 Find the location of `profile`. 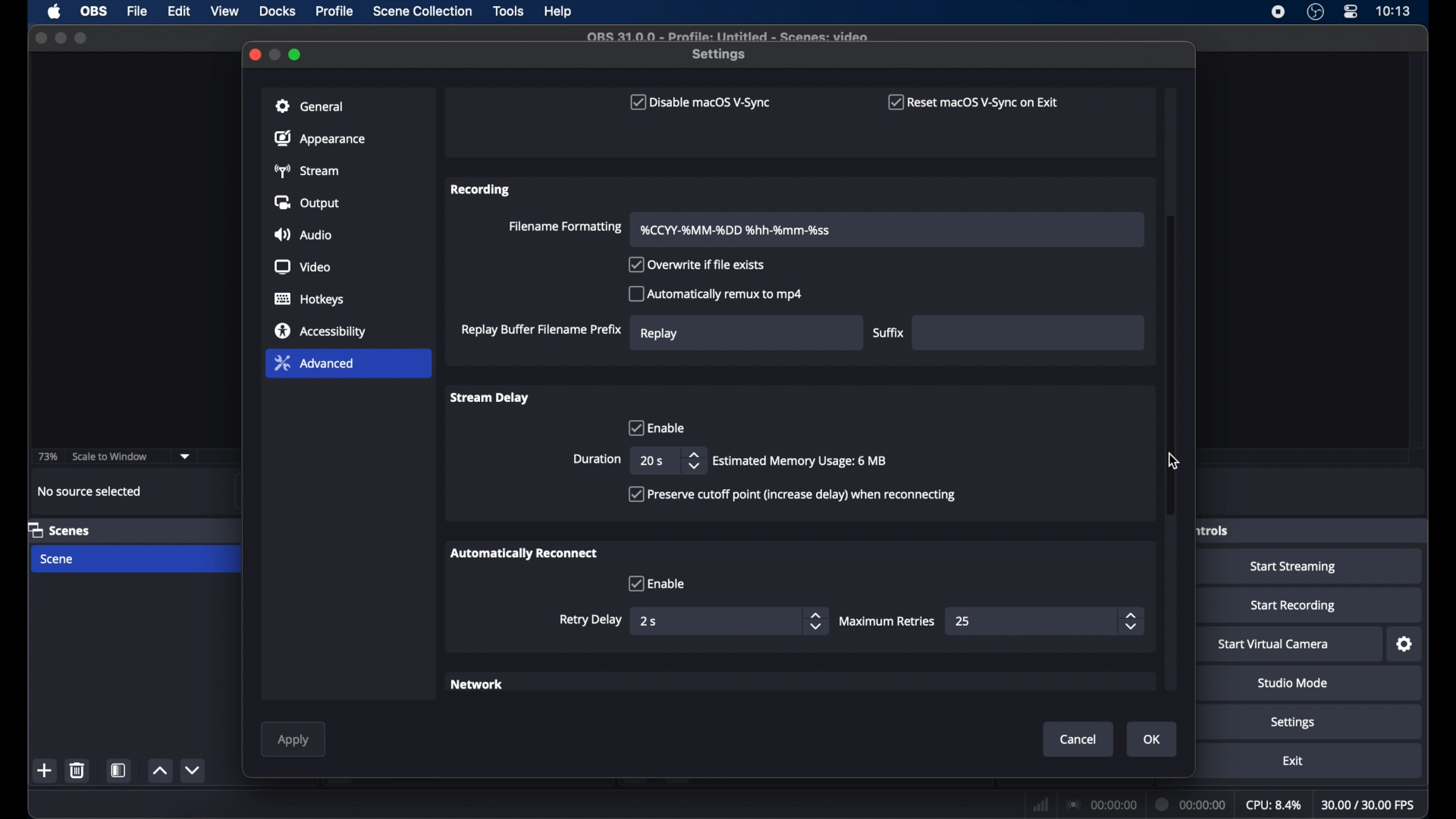

profile is located at coordinates (336, 11).